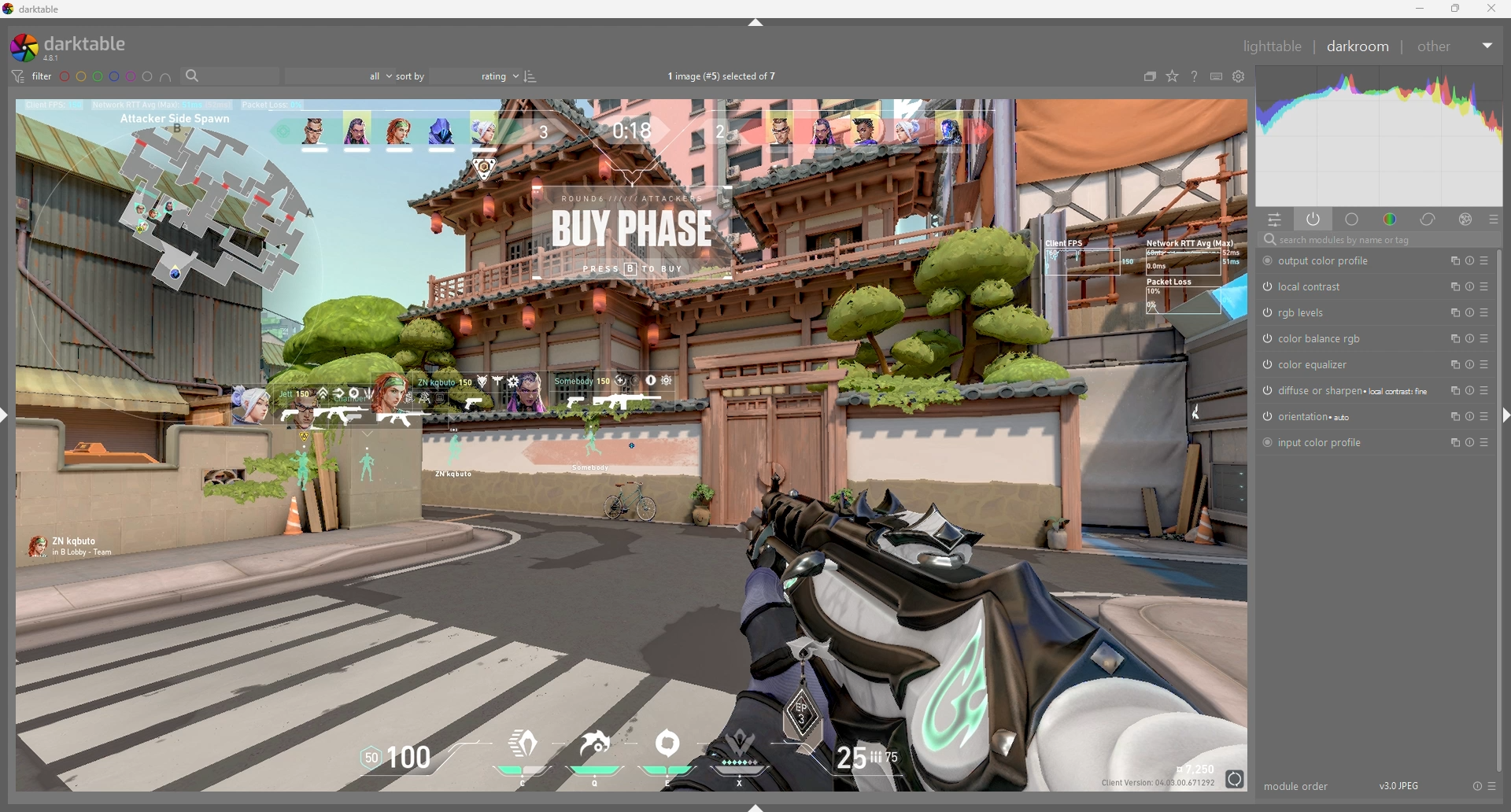 The height and width of the screenshot is (812, 1511). What do you see at coordinates (1466, 219) in the screenshot?
I see `effect` at bounding box center [1466, 219].